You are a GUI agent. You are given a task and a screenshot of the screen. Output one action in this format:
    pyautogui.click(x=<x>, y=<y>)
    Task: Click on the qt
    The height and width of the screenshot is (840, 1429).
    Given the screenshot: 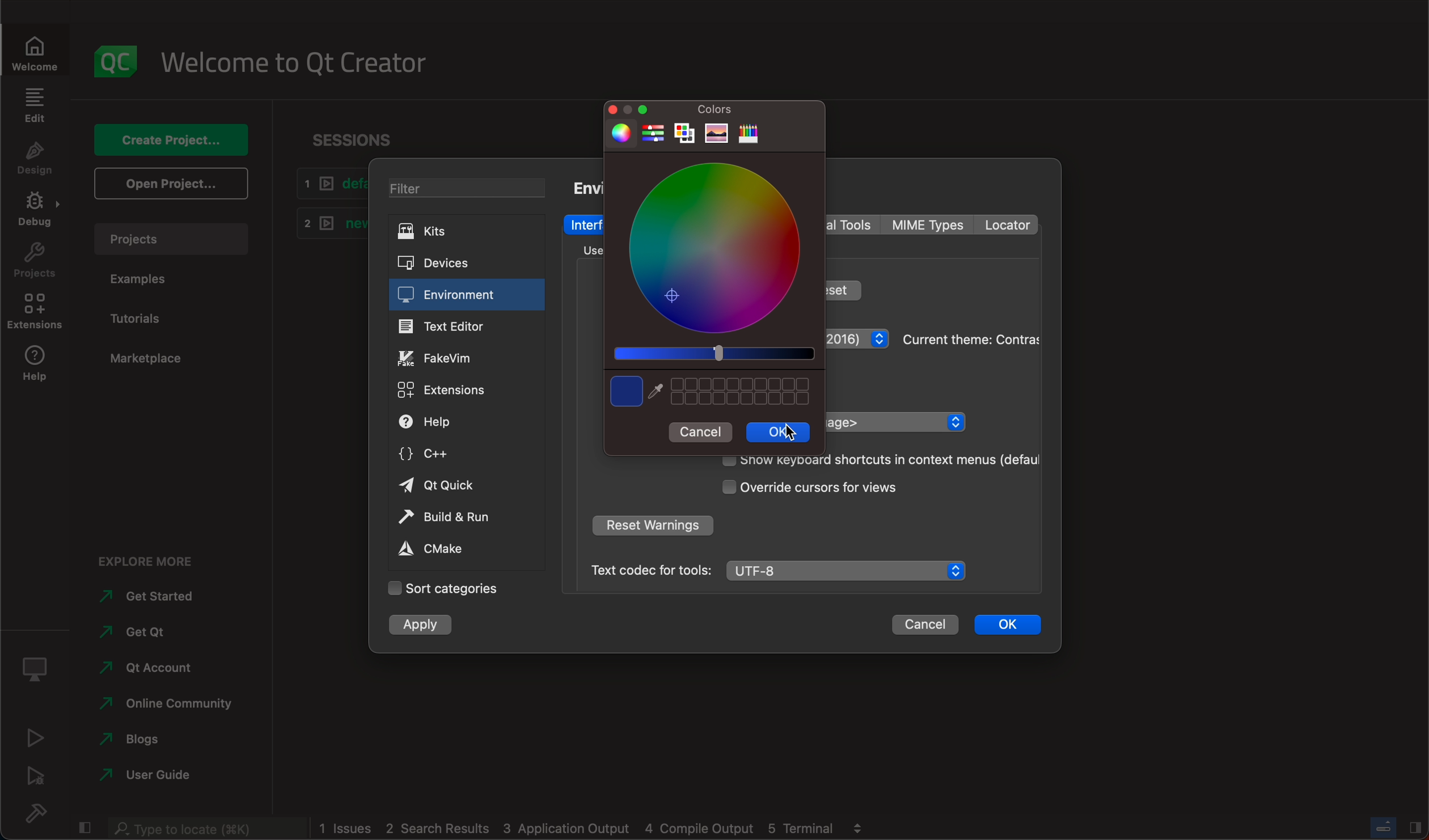 What is the action you would take?
    pyautogui.click(x=461, y=486)
    